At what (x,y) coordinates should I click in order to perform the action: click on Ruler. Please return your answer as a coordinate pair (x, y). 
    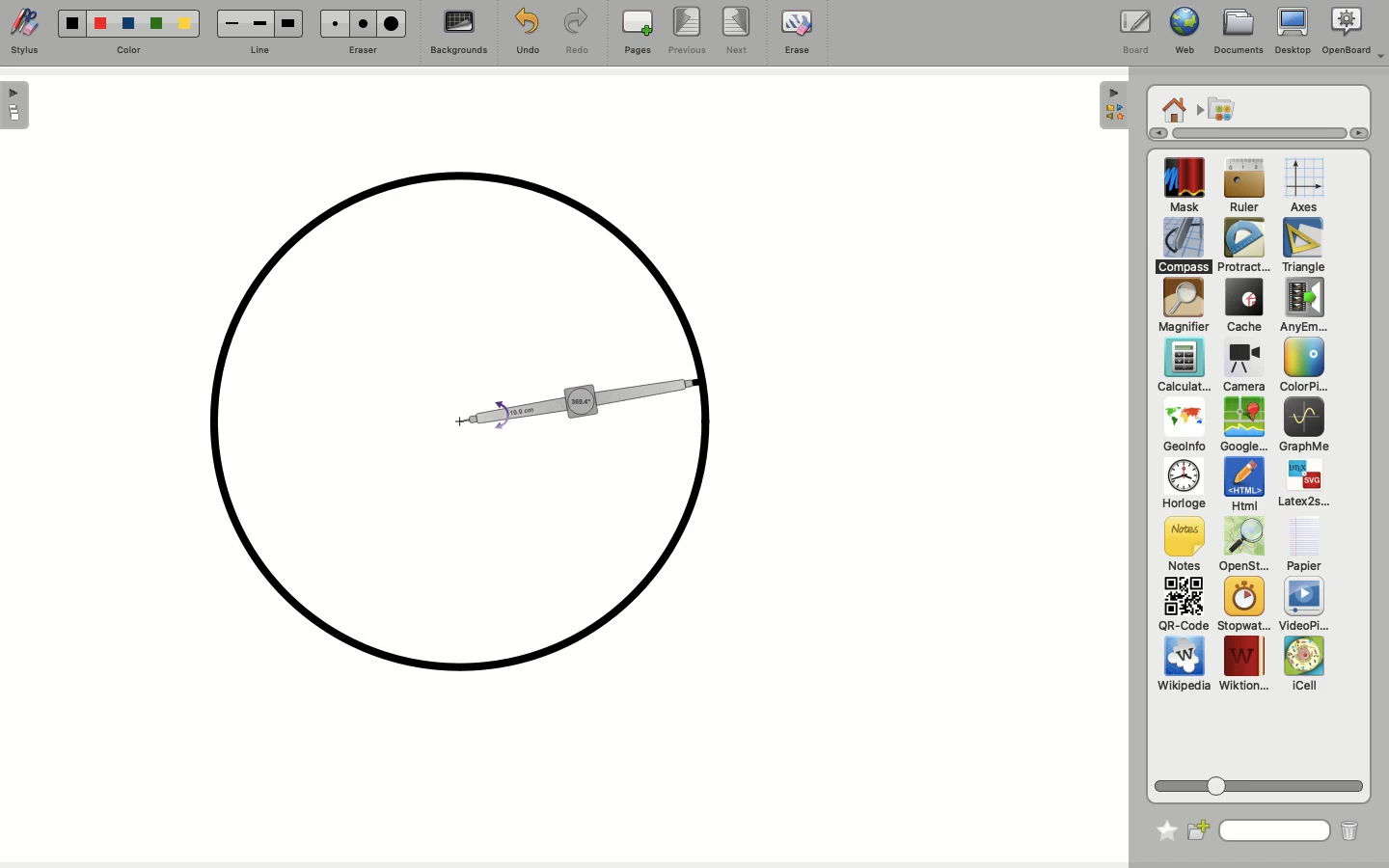
    Looking at the image, I should click on (1244, 187).